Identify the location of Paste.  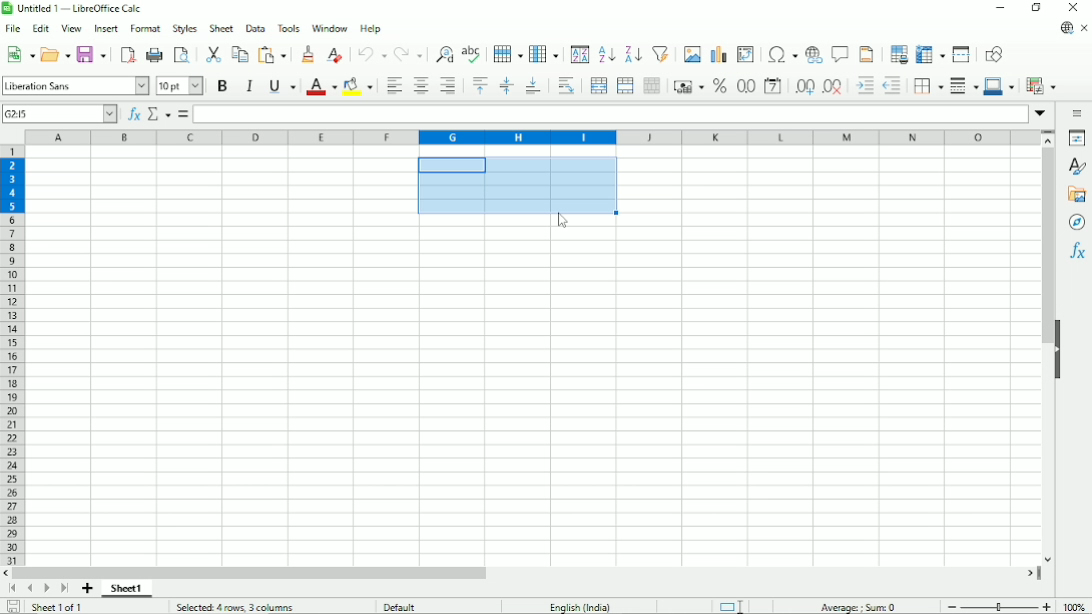
(273, 54).